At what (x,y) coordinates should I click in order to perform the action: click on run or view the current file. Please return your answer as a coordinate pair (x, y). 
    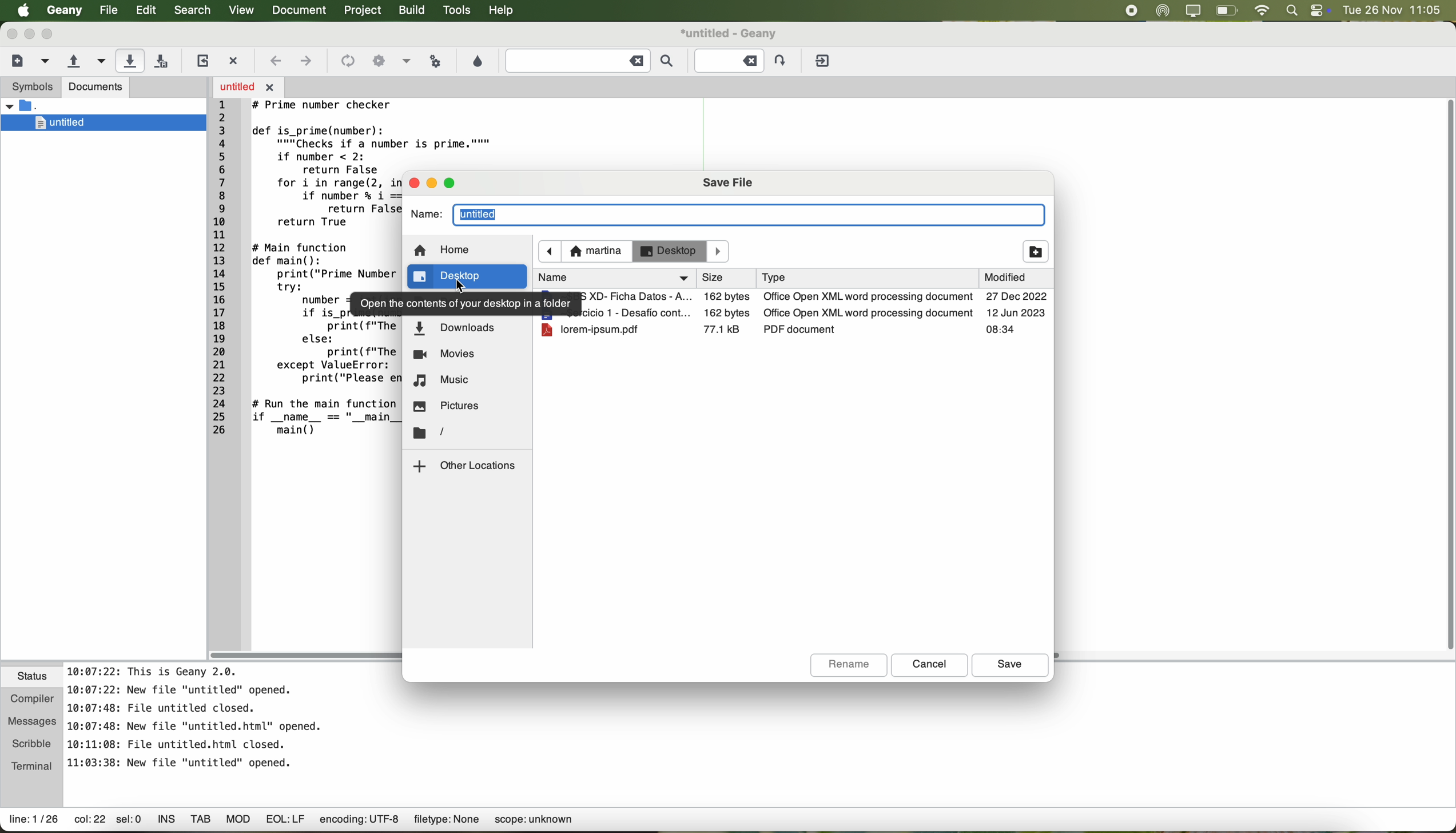
    Looking at the image, I should click on (437, 61).